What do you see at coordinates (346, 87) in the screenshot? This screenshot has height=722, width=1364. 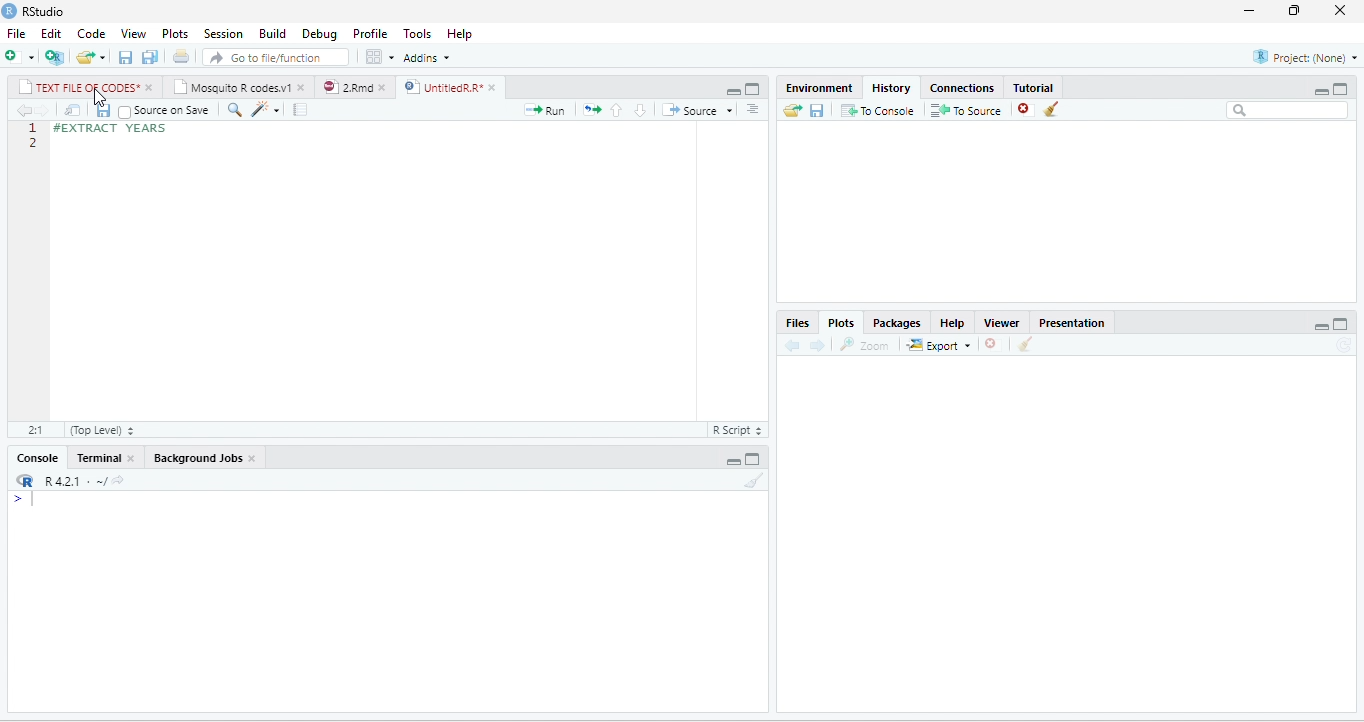 I see `2.Rmd` at bounding box center [346, 87].